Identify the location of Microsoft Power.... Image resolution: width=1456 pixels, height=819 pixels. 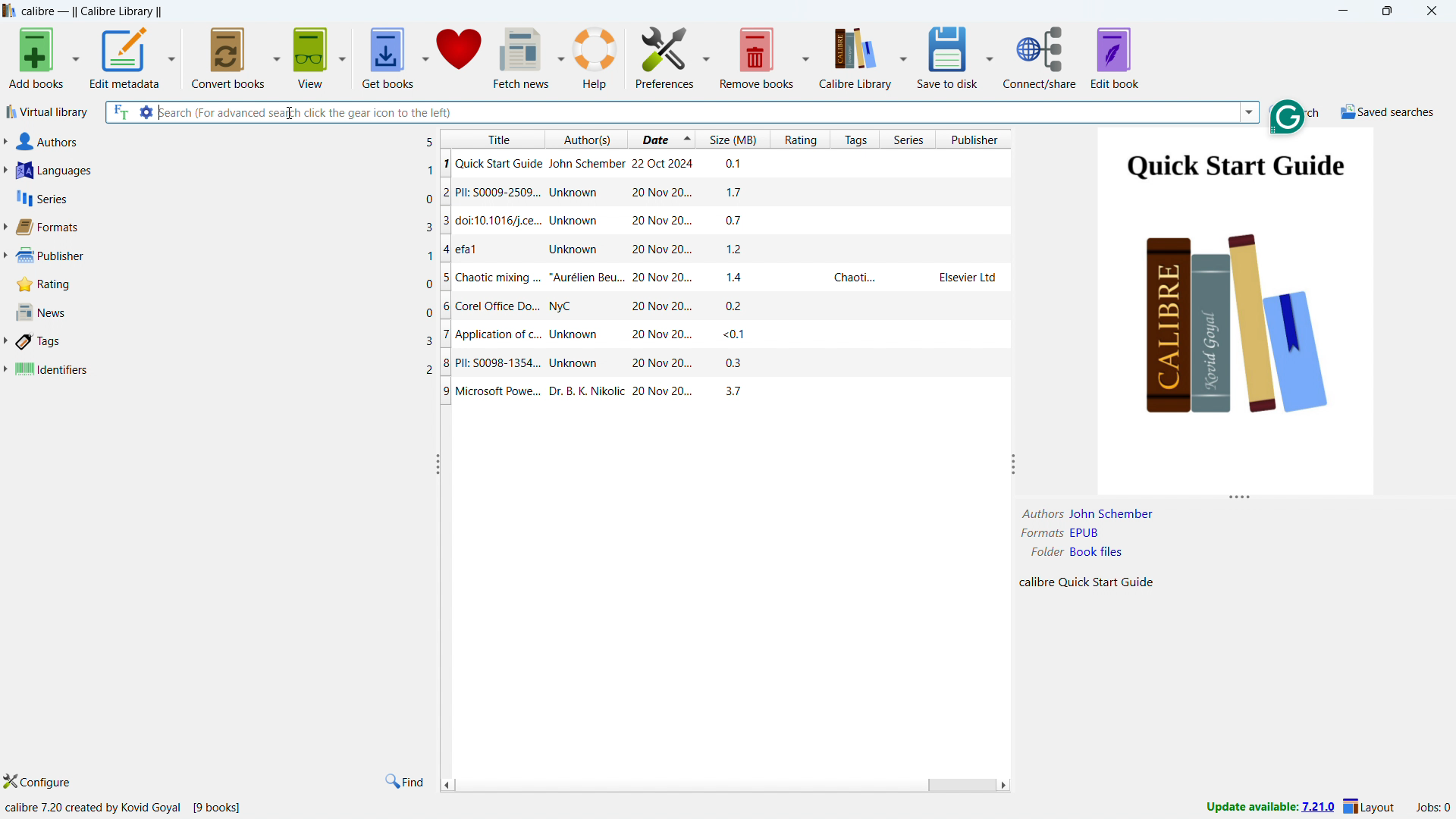
(718, 396).